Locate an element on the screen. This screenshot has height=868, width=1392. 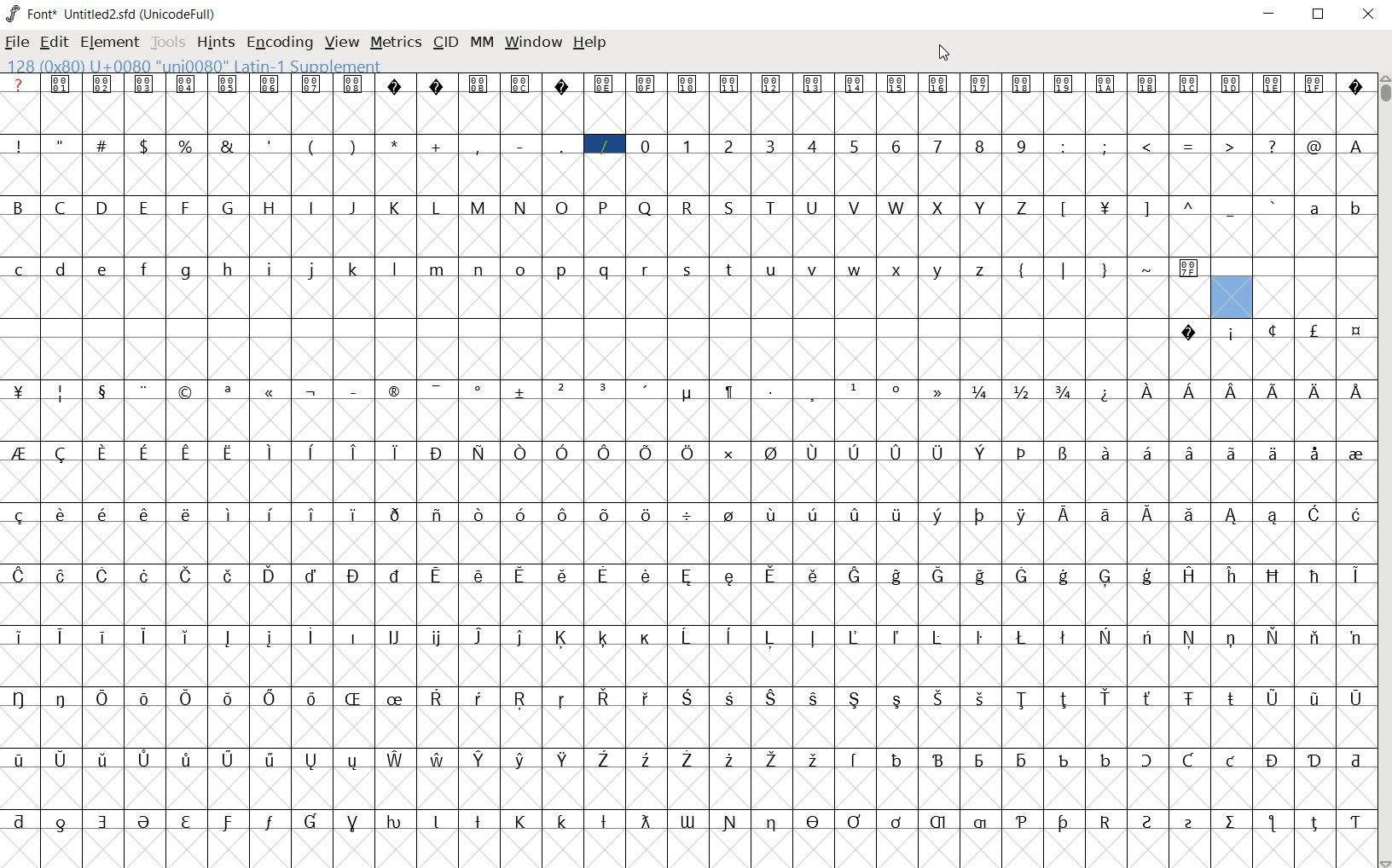
HELP is located at coordinates (591, 44).